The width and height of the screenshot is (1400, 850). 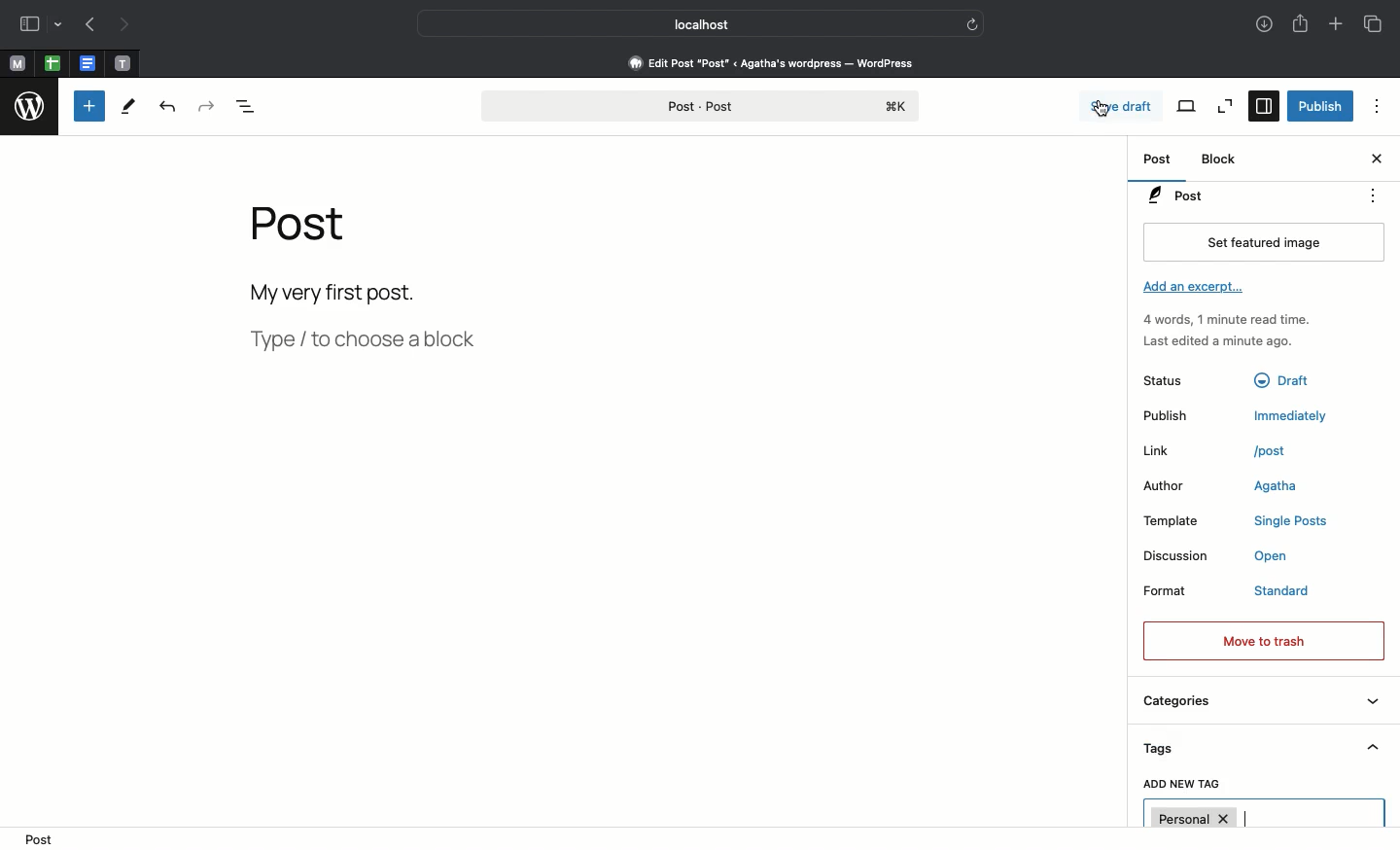 I want to click on Block, so click(x=1224, y=159).